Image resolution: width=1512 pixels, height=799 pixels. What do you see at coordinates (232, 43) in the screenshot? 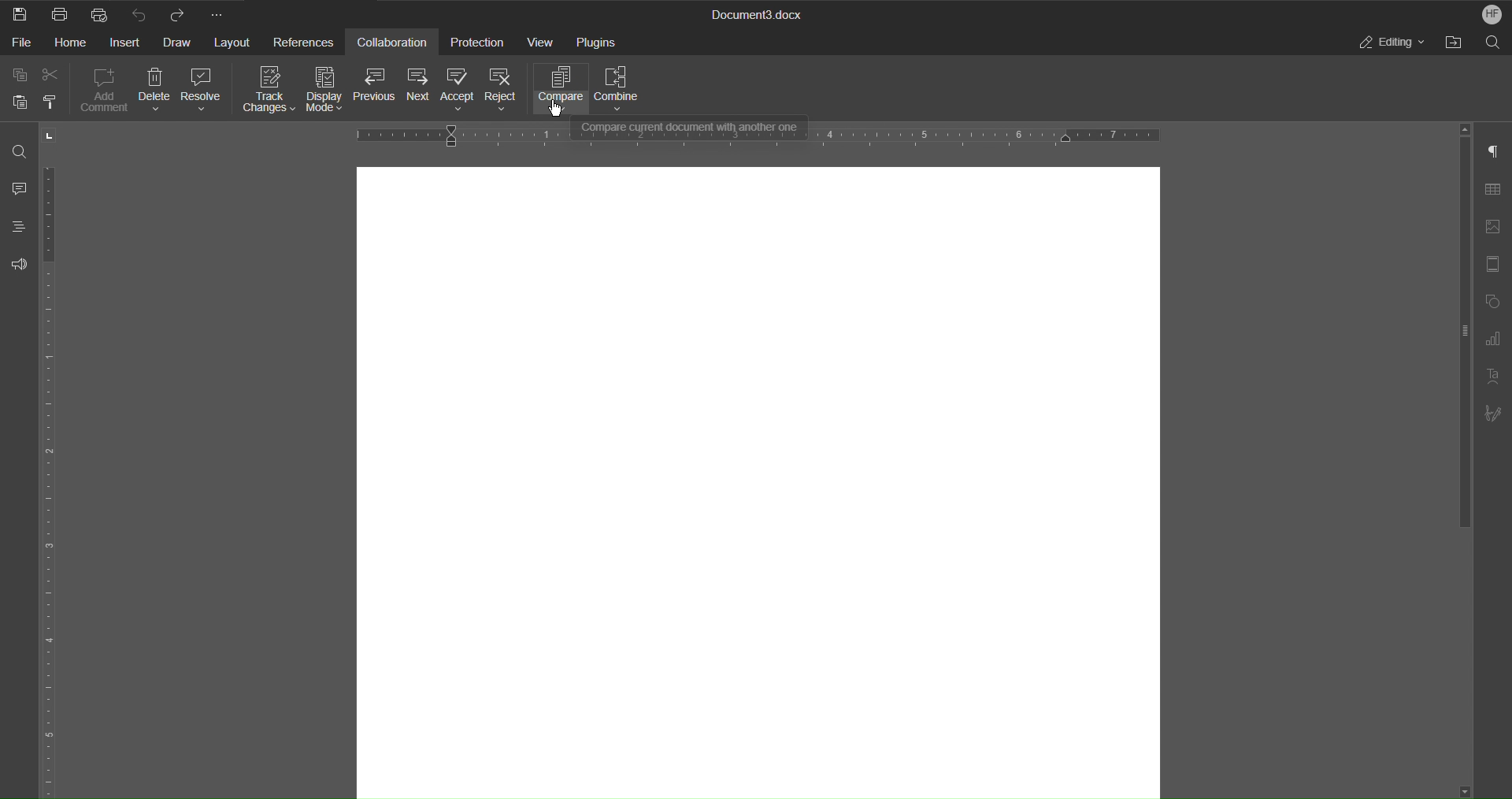
I see `Layout` at bounding box center [232, 43].